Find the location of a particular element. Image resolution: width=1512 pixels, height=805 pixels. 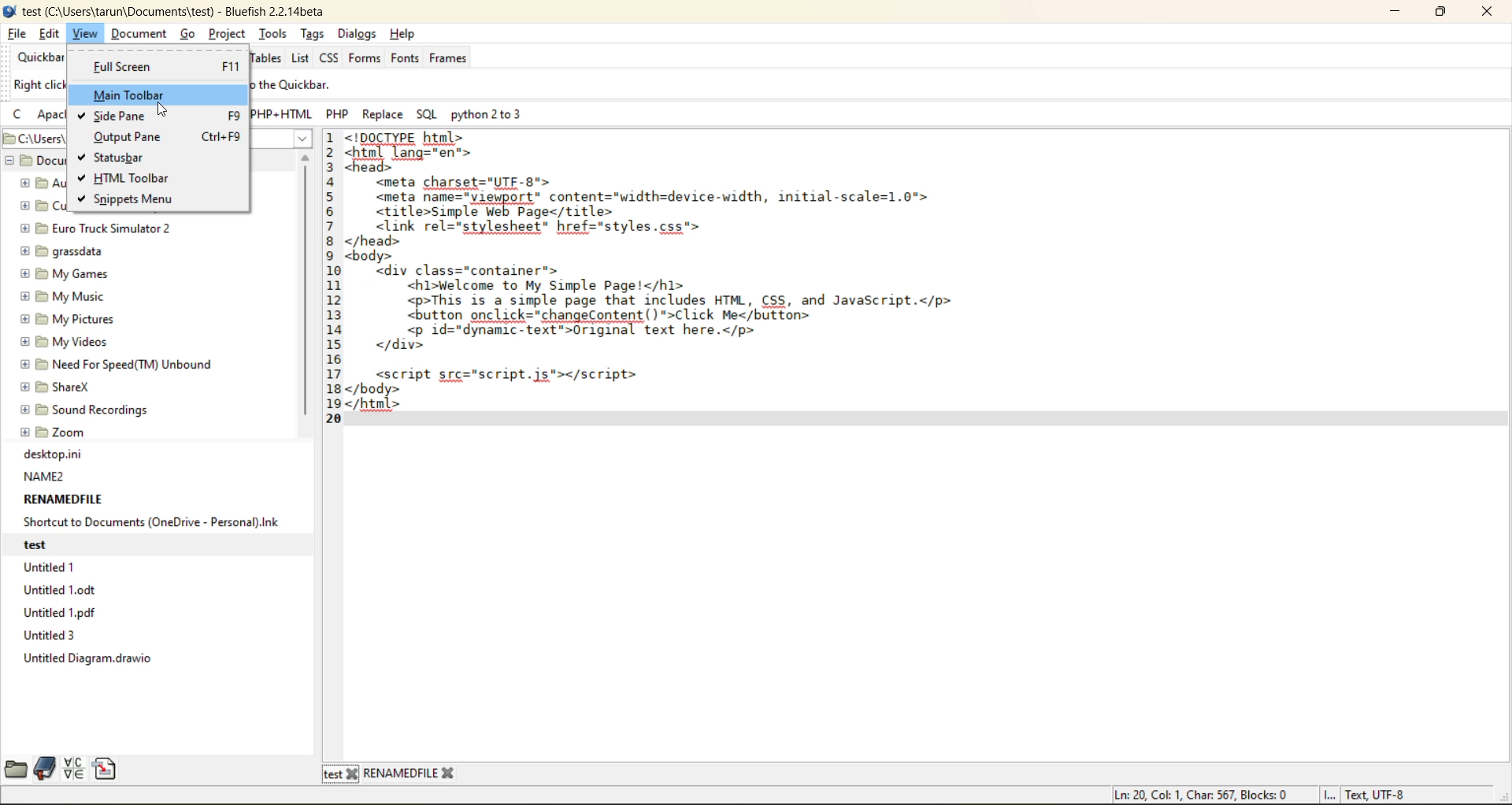

output pane is located at coordinates (127, 137).